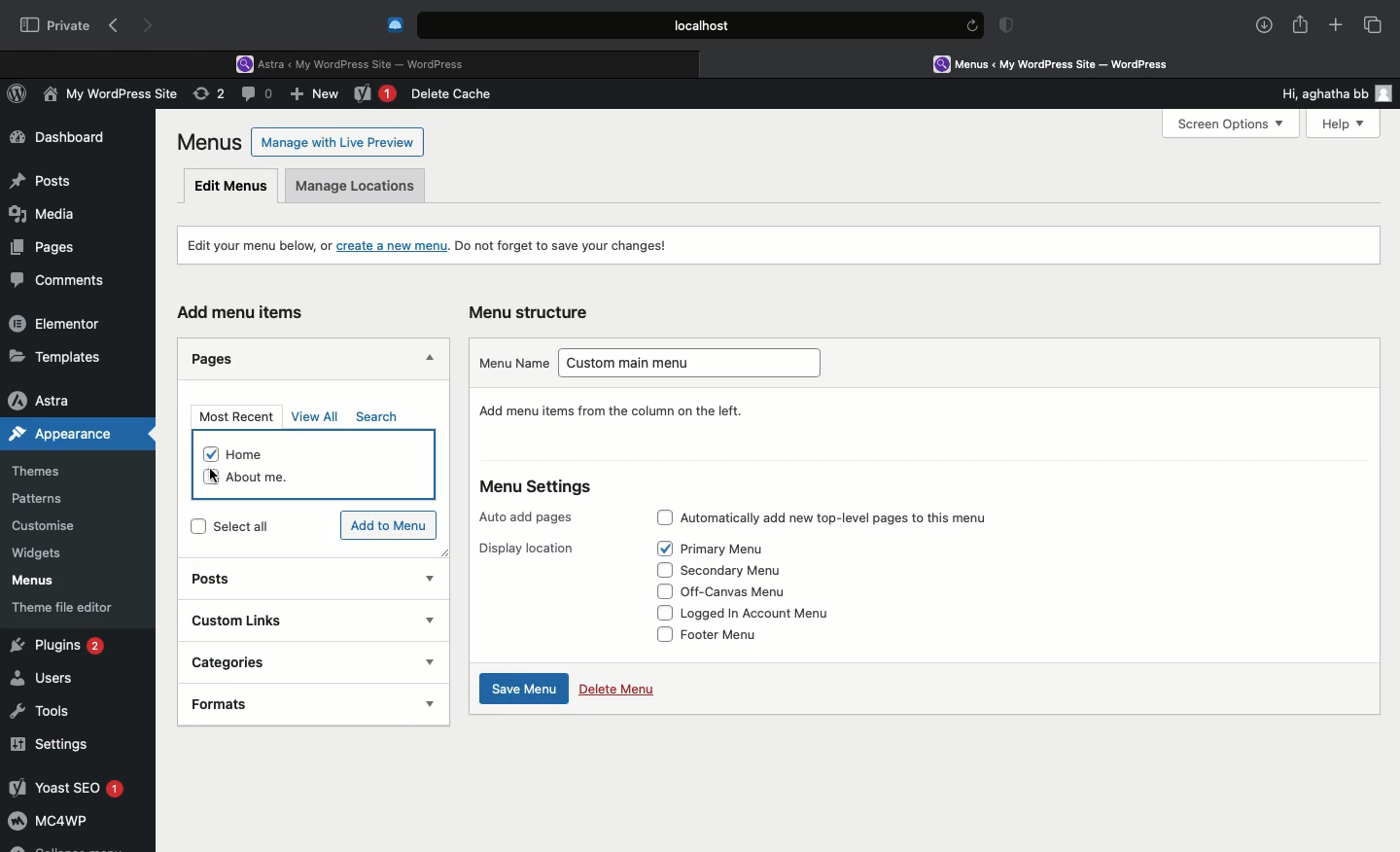 The width and height of the screenshot is (1400, 852). What do you see at coordinates (259, 454) in the screenshot?
I see `Home` at bounding box center [259, 454].